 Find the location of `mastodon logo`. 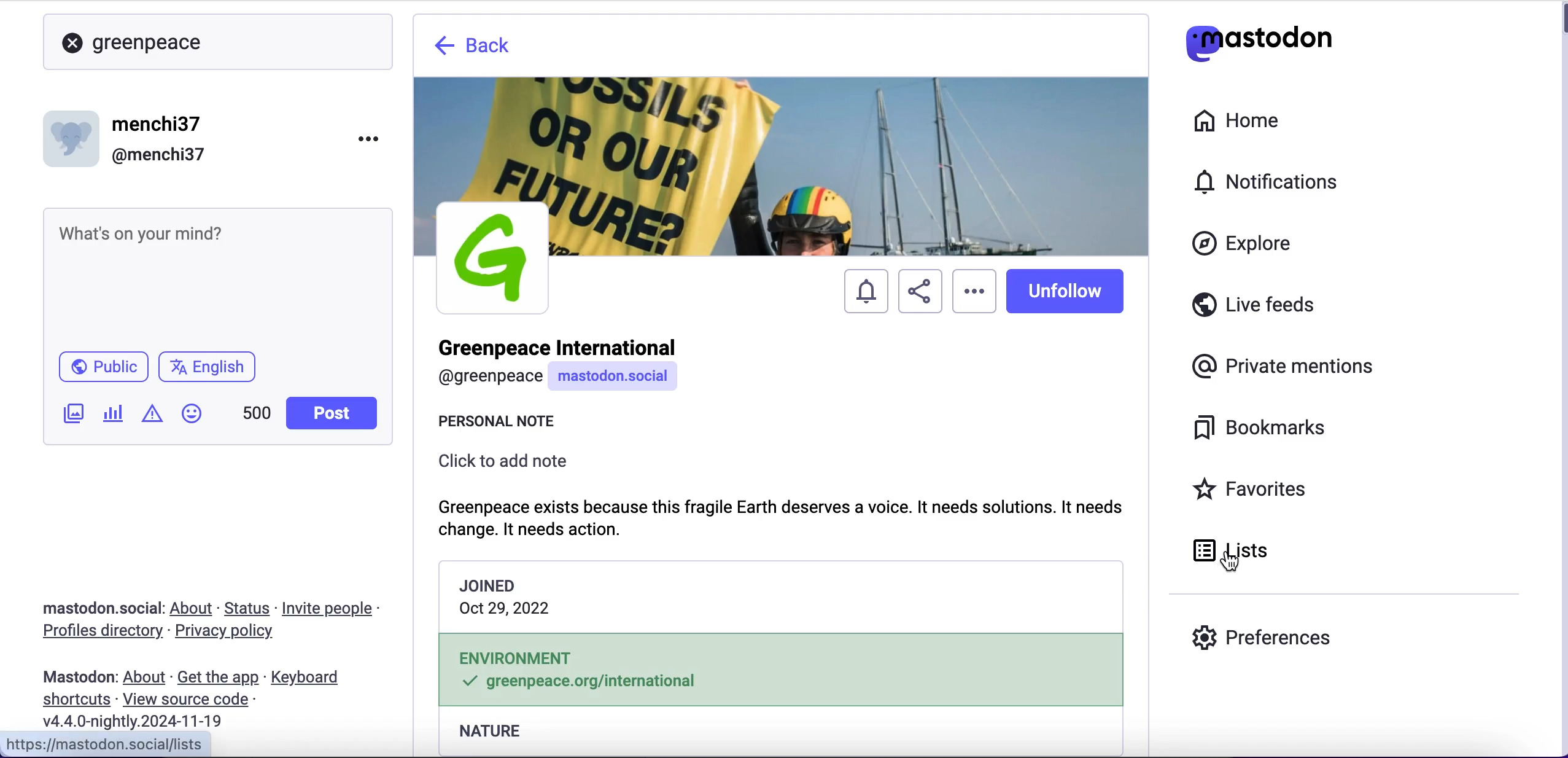

mastodon logo is located at coordinates (1259, 40).